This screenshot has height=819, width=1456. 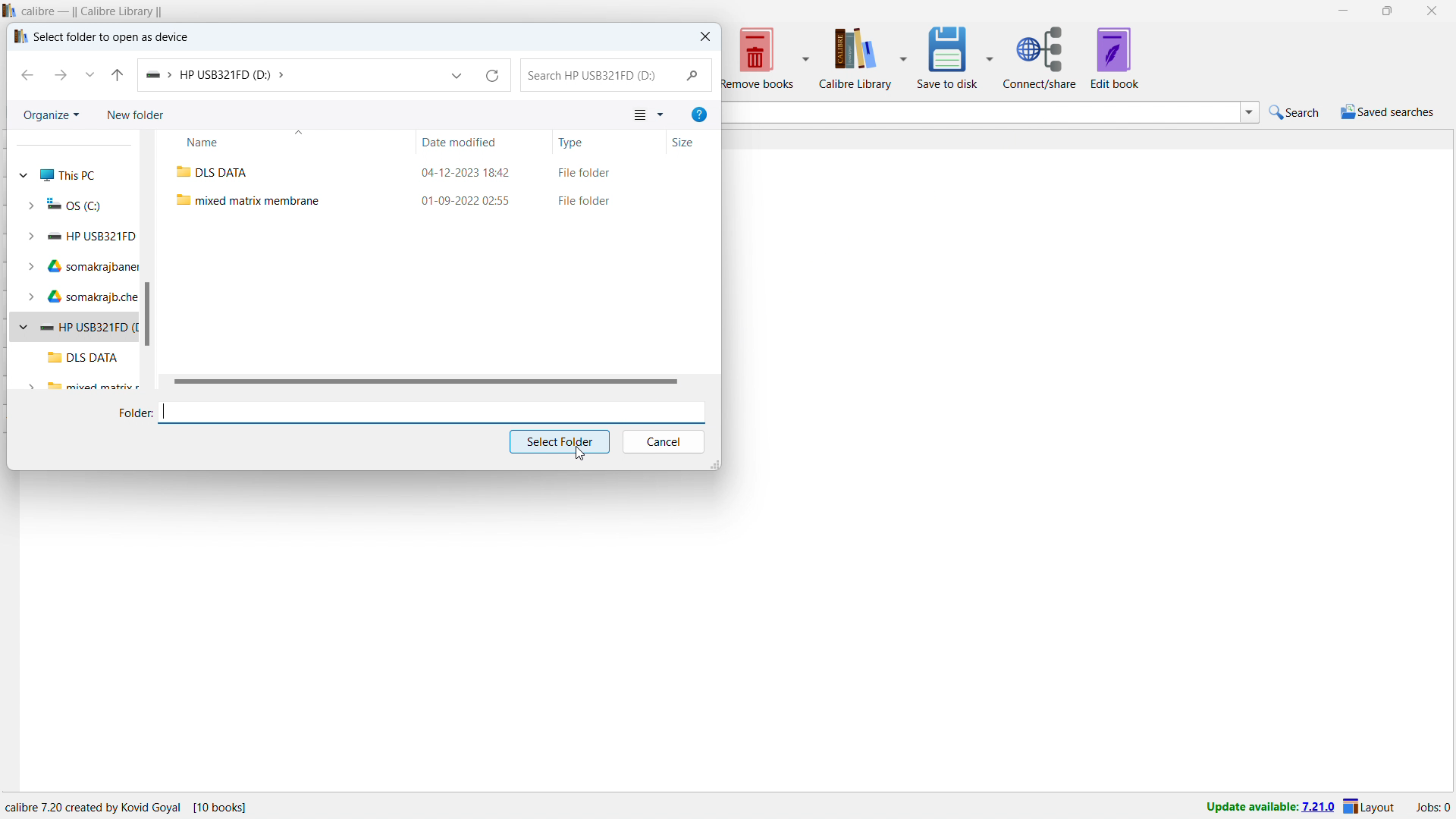 What do you see at coordinates (664, 441) in the screenshot?
I see `cancel` at bounding box center [664, 441].